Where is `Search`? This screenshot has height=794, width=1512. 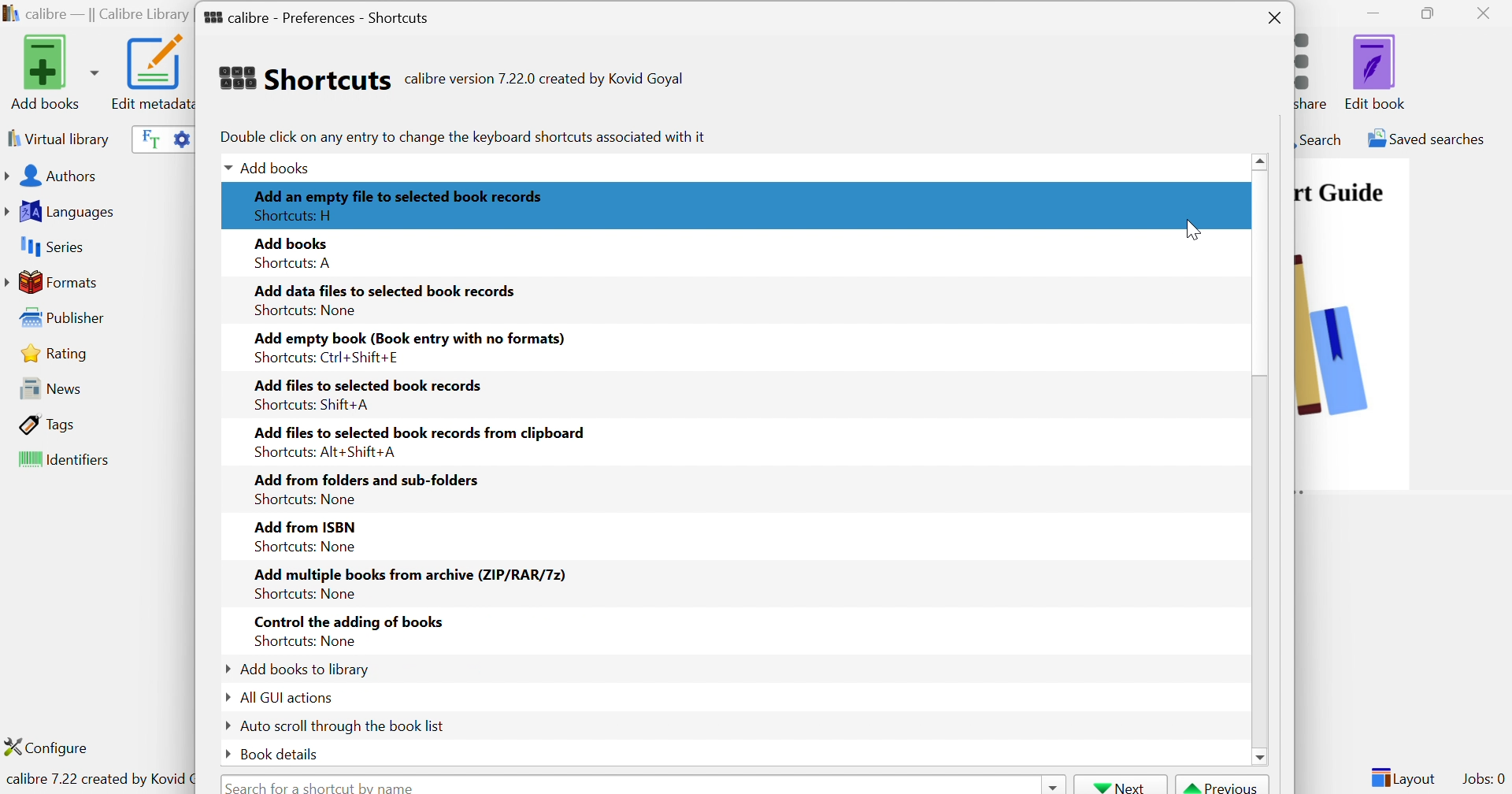 Search is located at coordinates (1319, 139).